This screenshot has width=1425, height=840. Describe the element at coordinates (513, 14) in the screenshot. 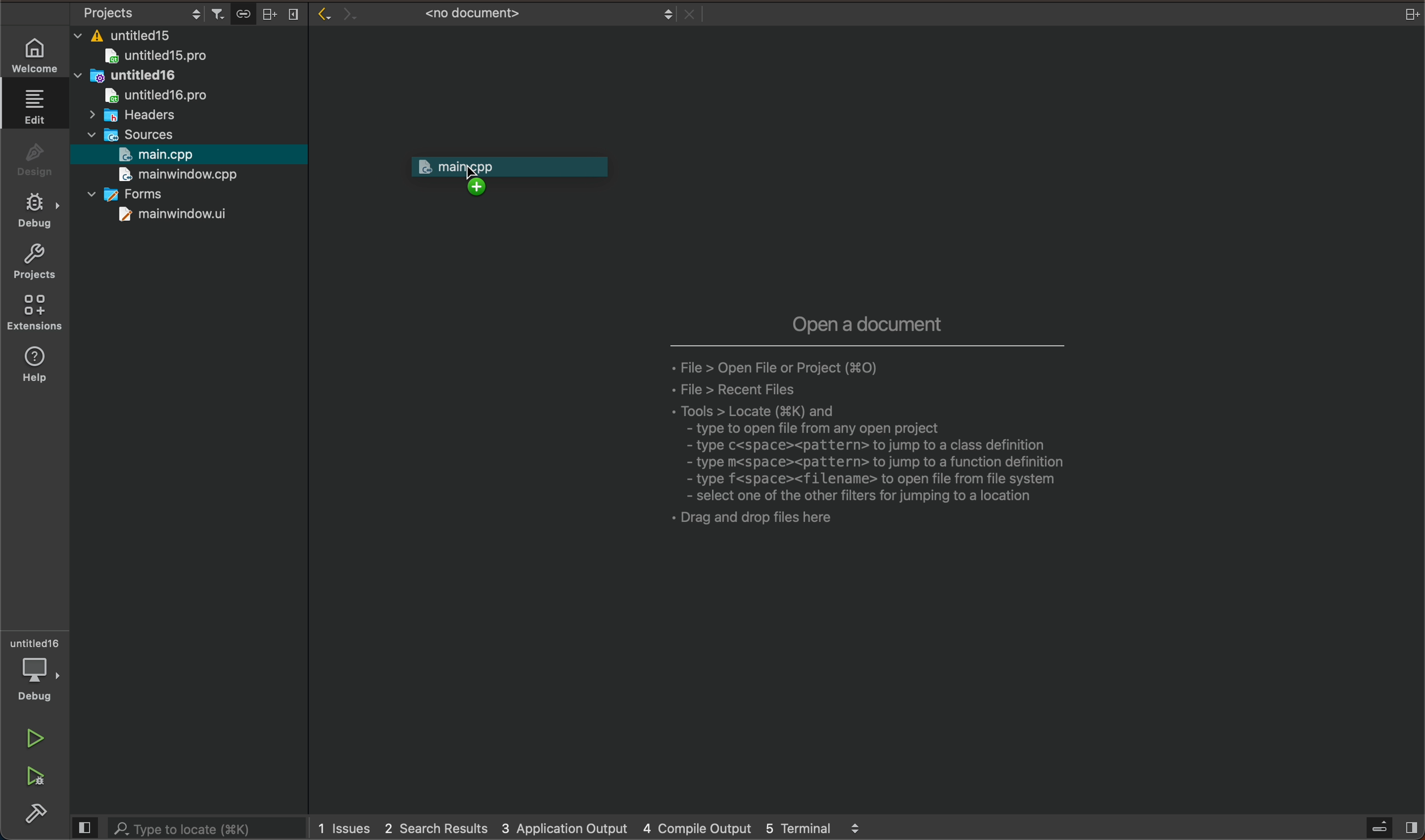

I see `file tab` at that location.